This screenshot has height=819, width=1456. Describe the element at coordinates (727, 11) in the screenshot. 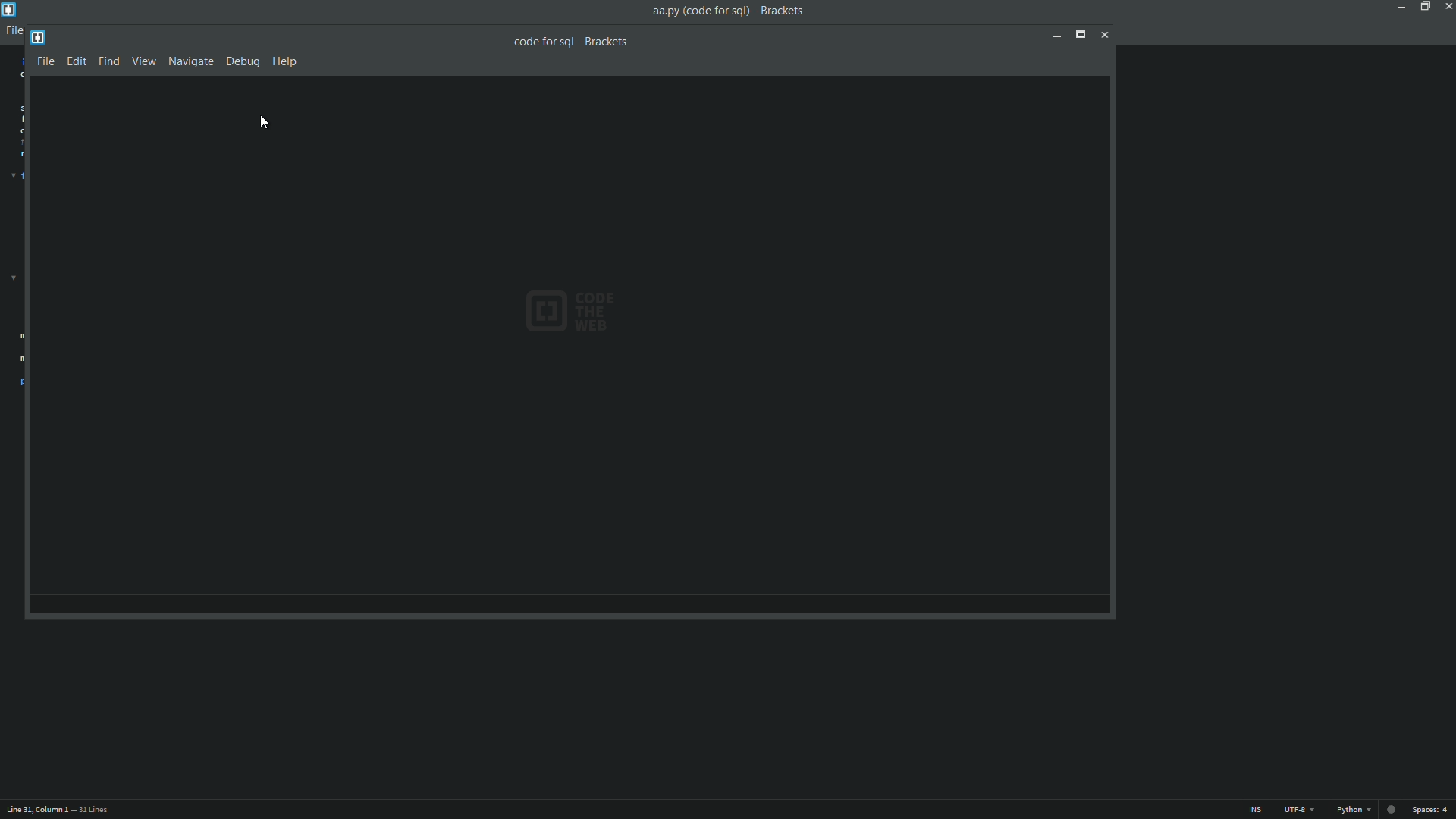

I see `File name` at that location.